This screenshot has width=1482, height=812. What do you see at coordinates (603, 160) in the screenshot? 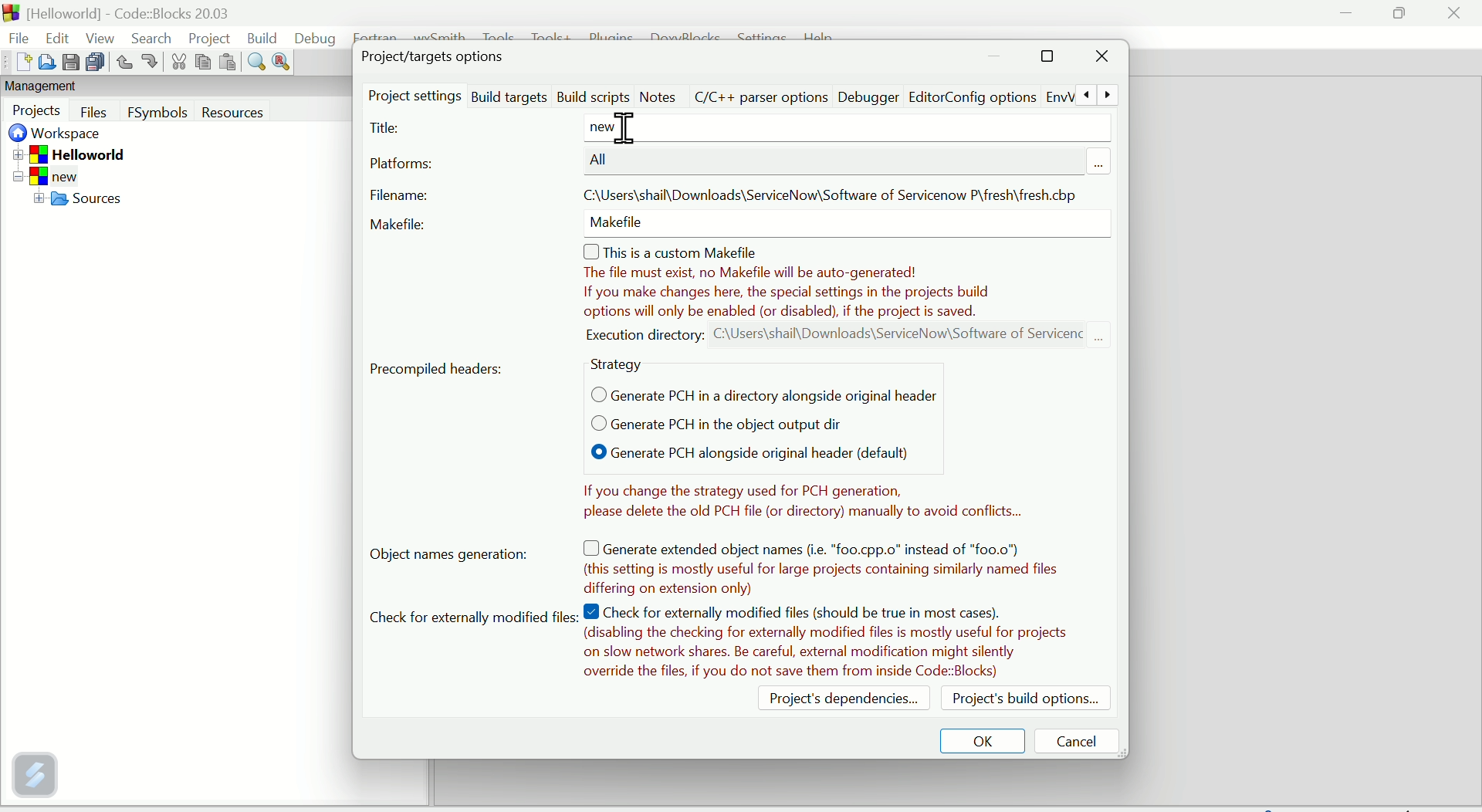
I see `All` at bounding box center [603, 160].